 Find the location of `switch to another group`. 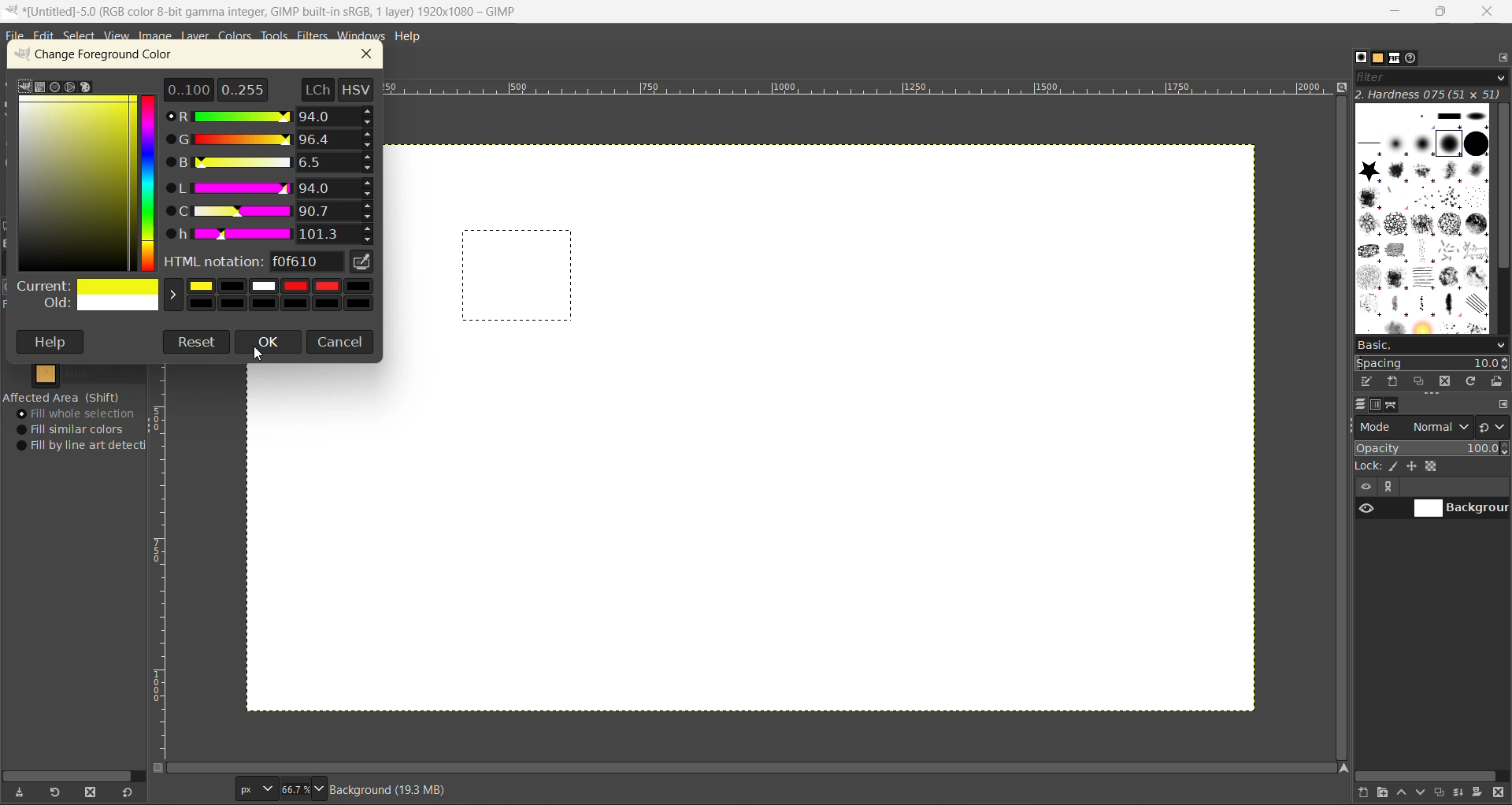

switch to another group is located at coordinates (1494, 426).